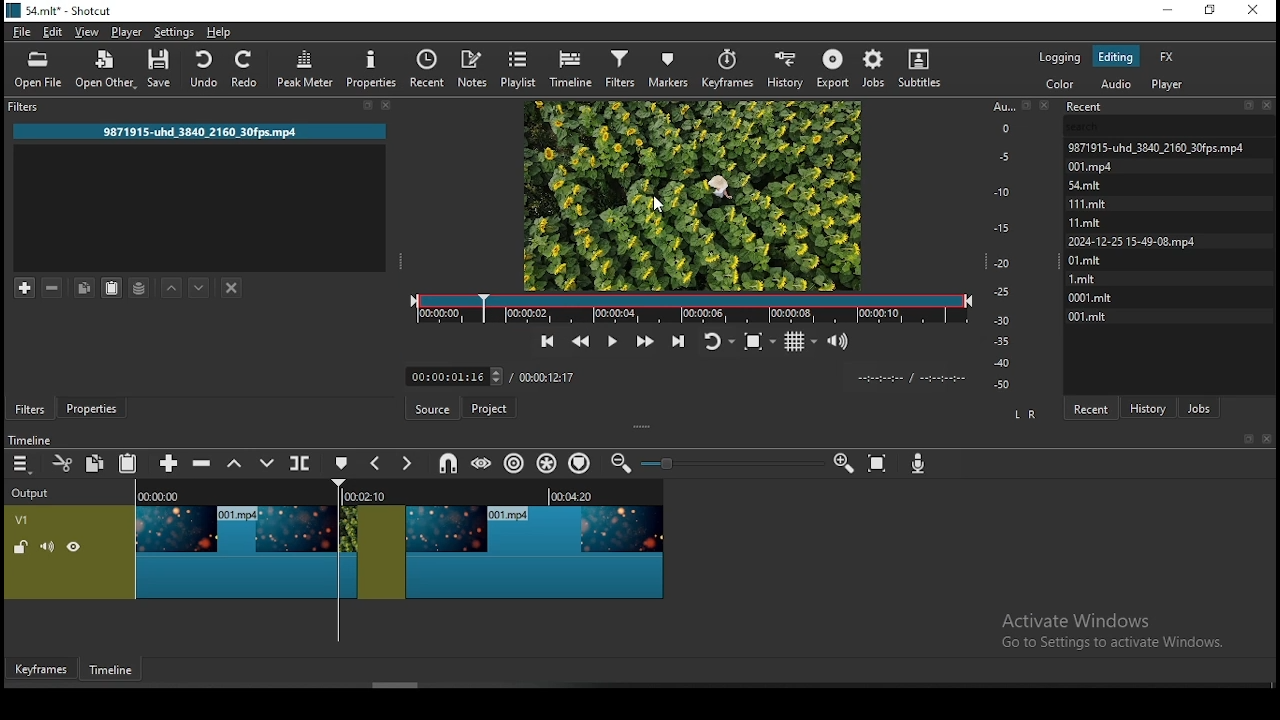 Image resolution: width=1280 pixels, height=720 pixels. Describe the element at coordinates (918, 462) in the screenshot. I see `record audio` at that location.